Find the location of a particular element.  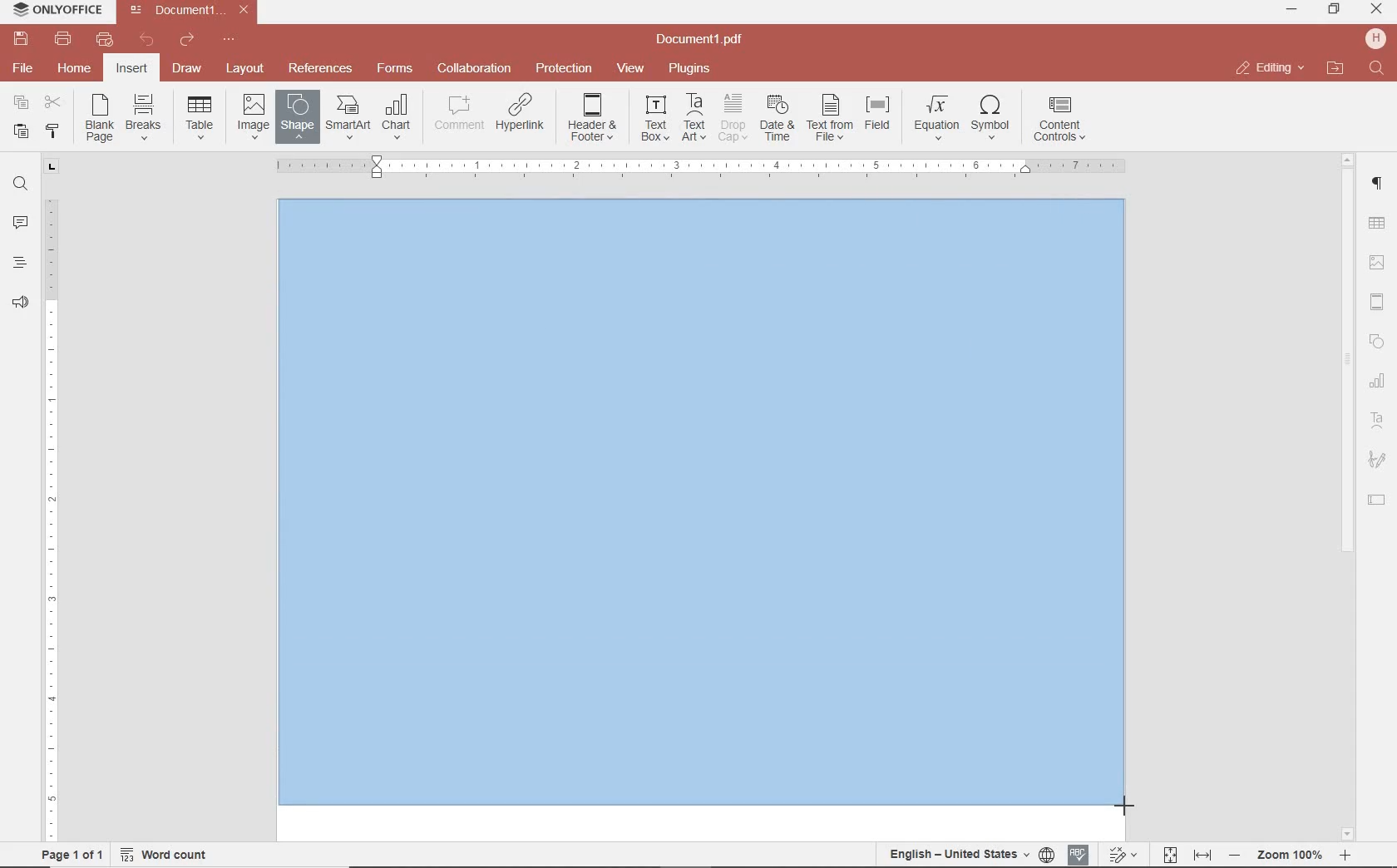

set document language is located at coordinates (970, 854).